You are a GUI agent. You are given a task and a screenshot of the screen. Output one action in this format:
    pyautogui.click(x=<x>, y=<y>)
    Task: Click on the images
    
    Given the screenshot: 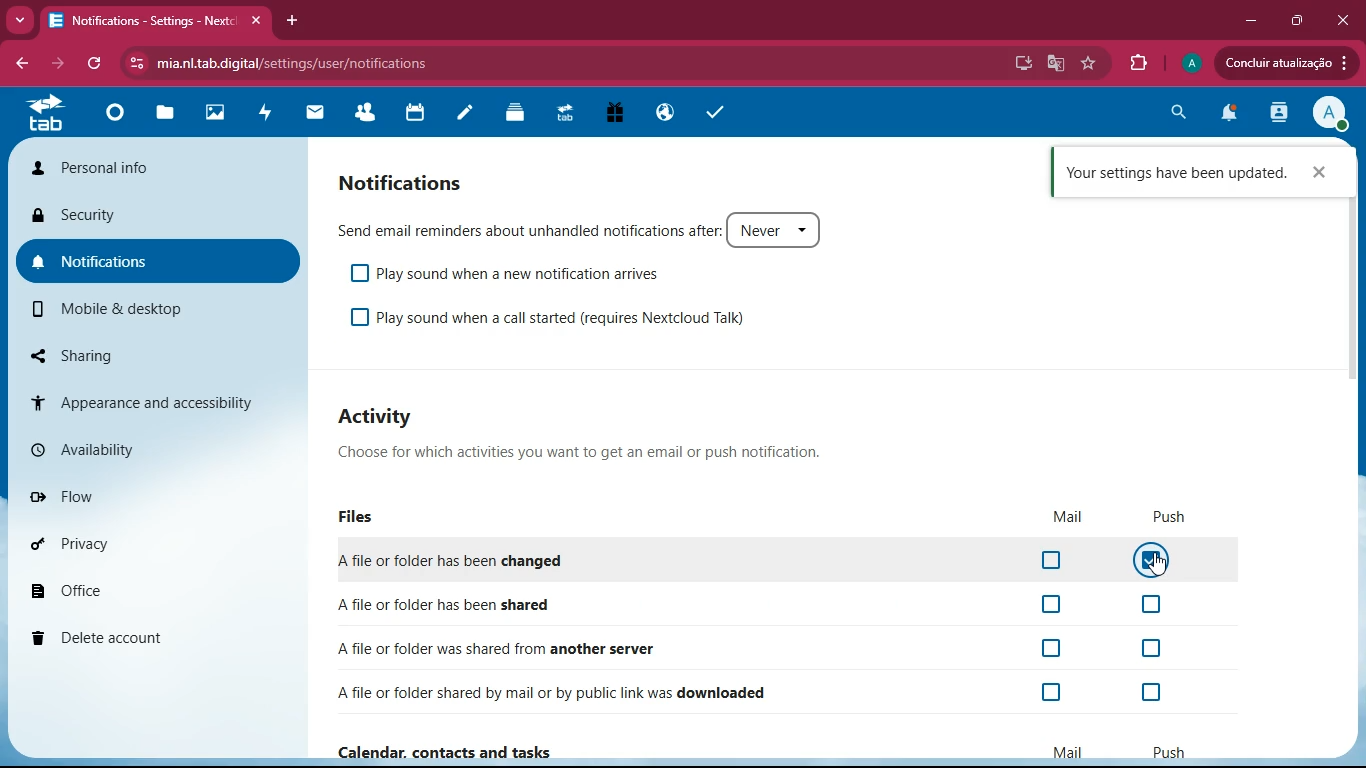 What is the action you would take?
    pyautogui.click(x=217, y=111)
    